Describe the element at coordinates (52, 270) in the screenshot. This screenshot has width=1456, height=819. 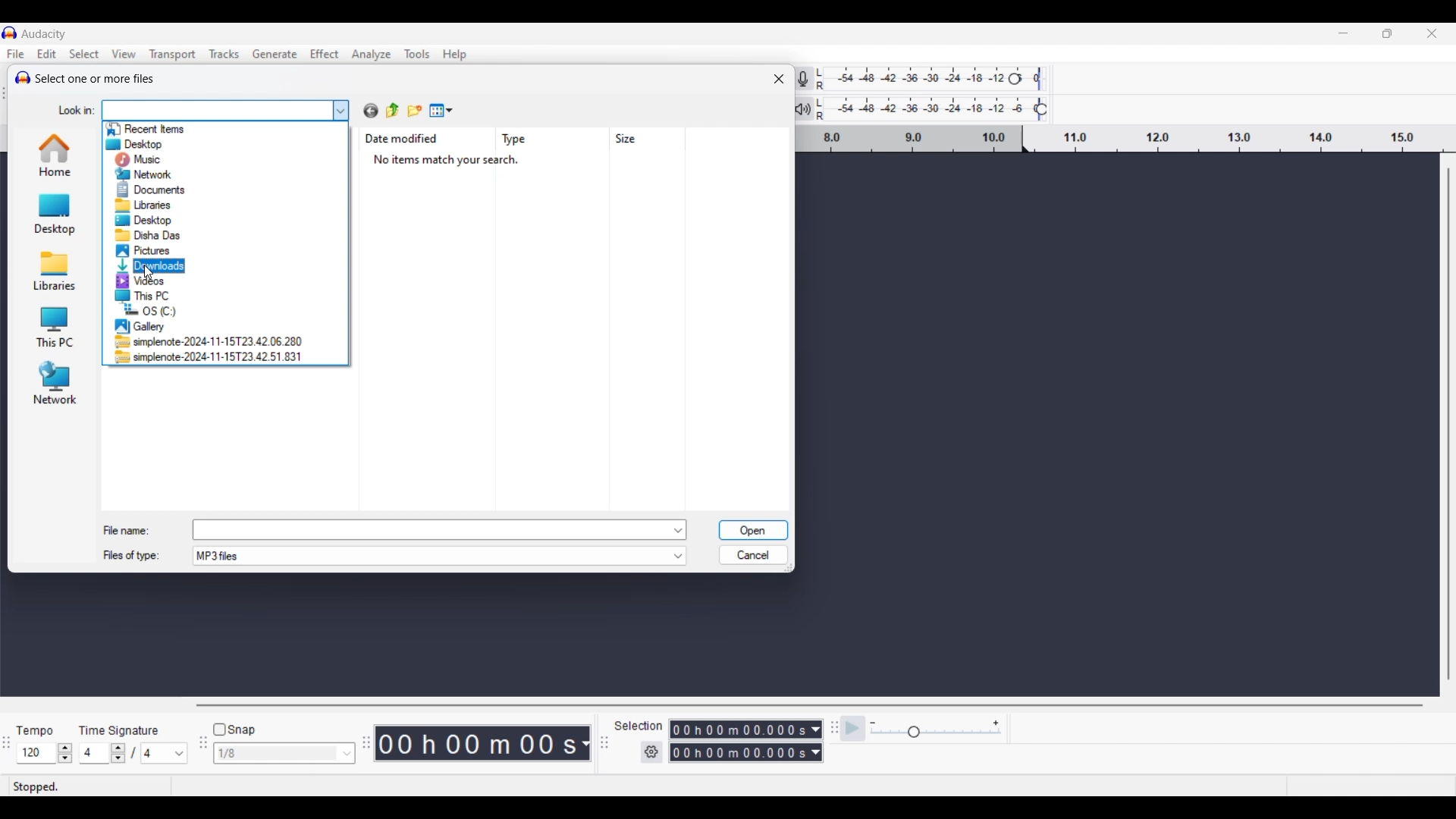
I see `Libraries folder` at that location.